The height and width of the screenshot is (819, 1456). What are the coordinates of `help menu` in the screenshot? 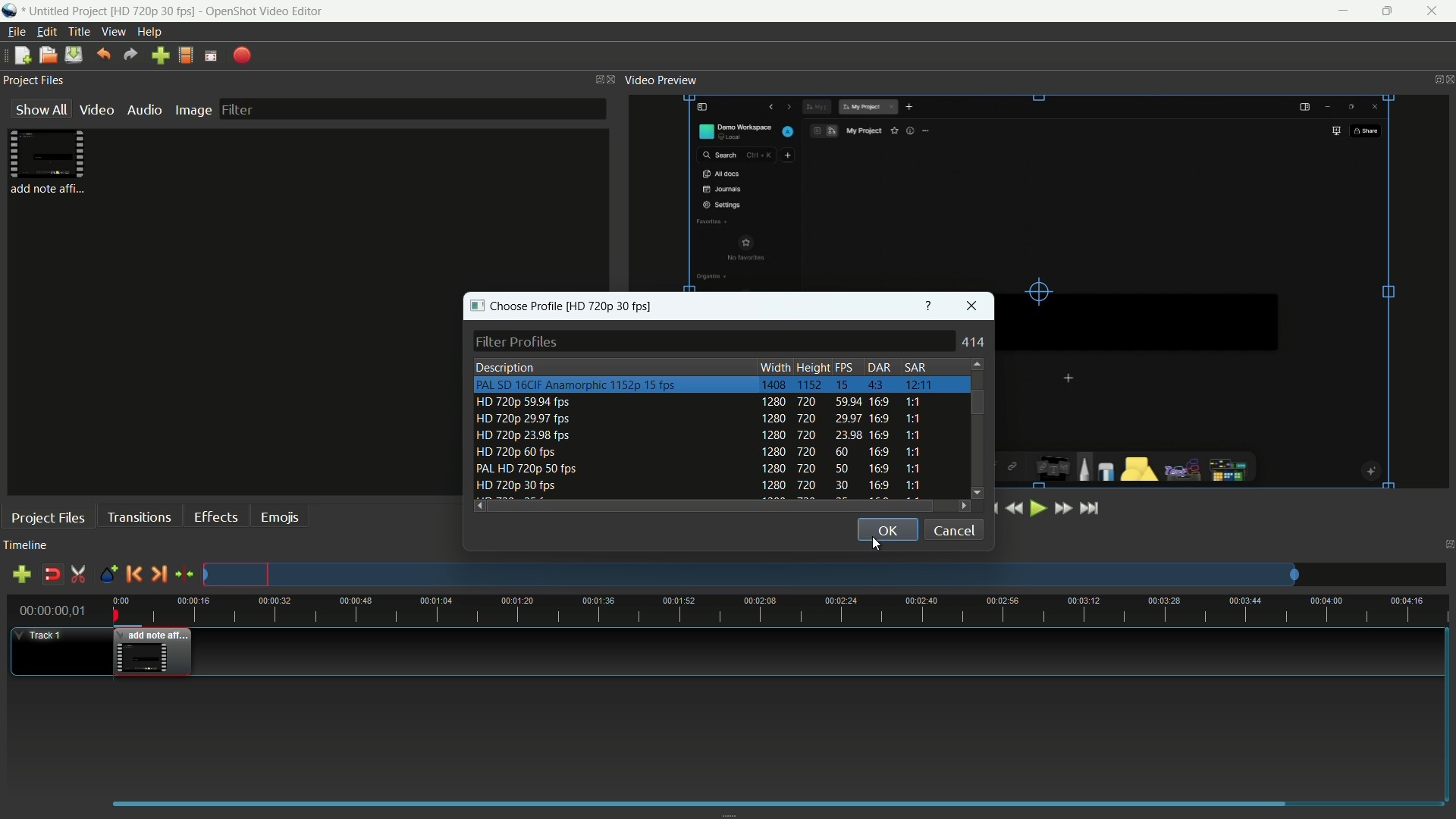 It's located at (149, 32).